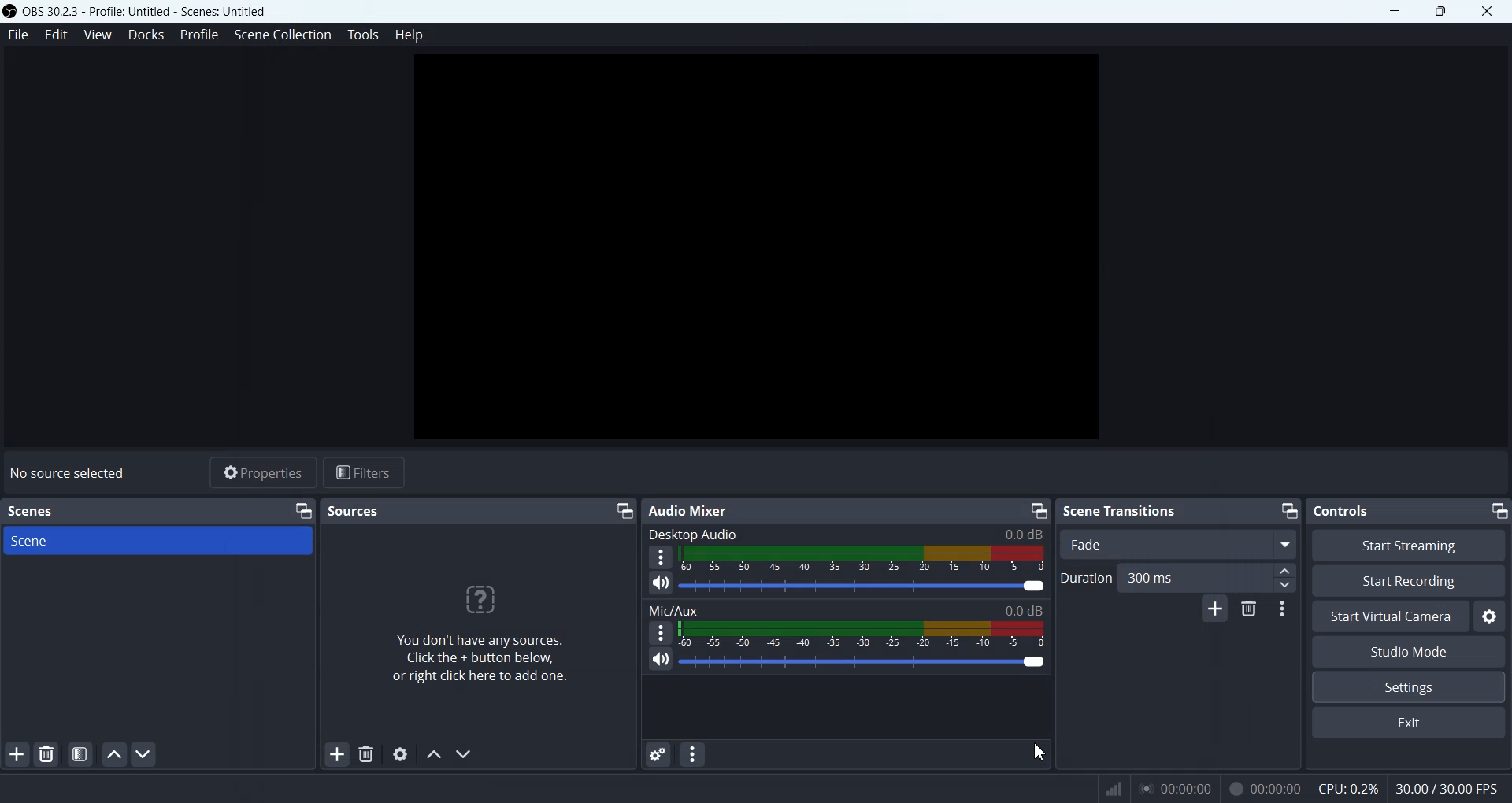 This screenshot has width=1512, height=803. What do you see at coordinates (1036, 510) in the screenshot?
I see `Minimize` at bounding box center [1036, 510].